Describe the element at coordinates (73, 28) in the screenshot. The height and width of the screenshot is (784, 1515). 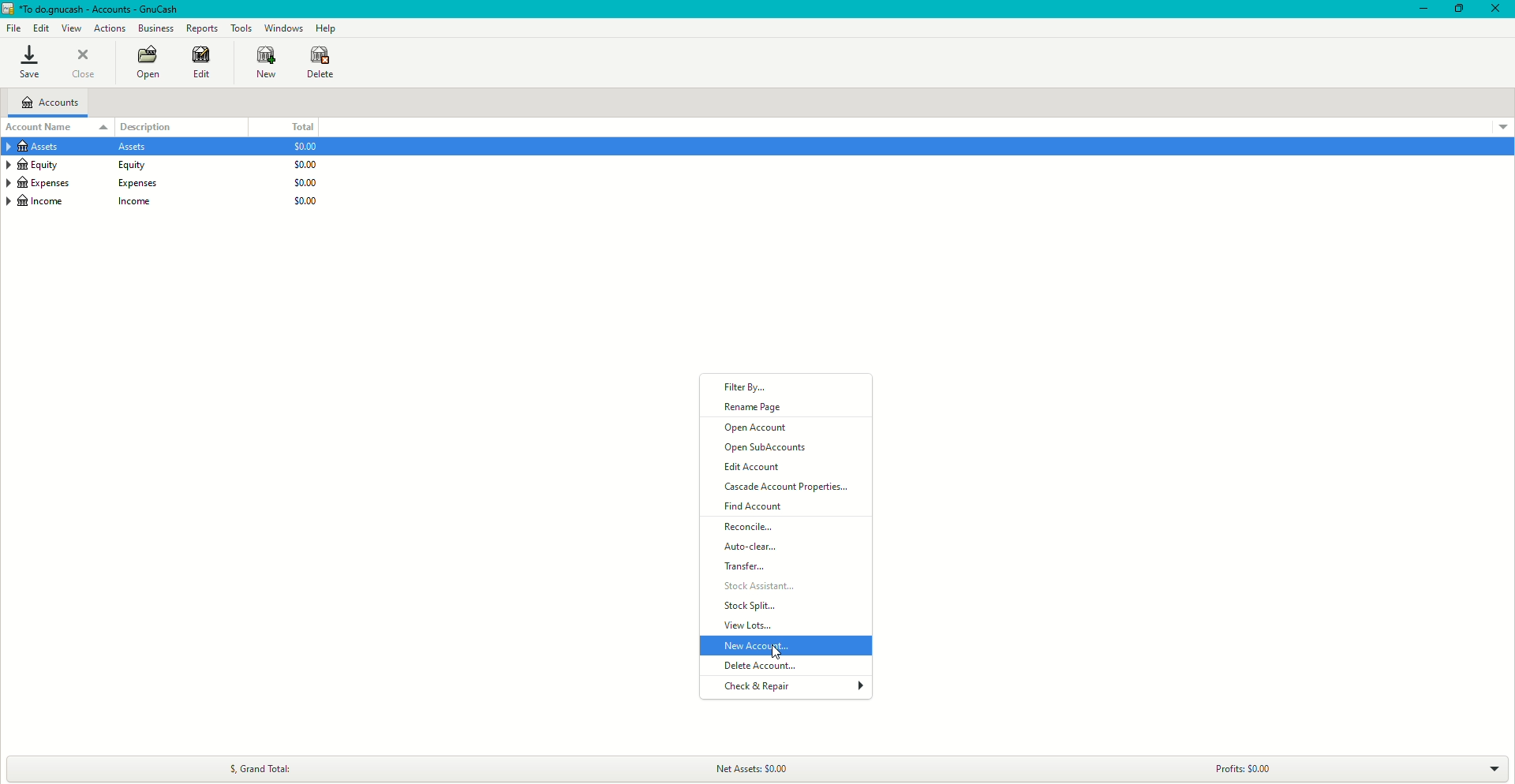
I see `View` at that location.